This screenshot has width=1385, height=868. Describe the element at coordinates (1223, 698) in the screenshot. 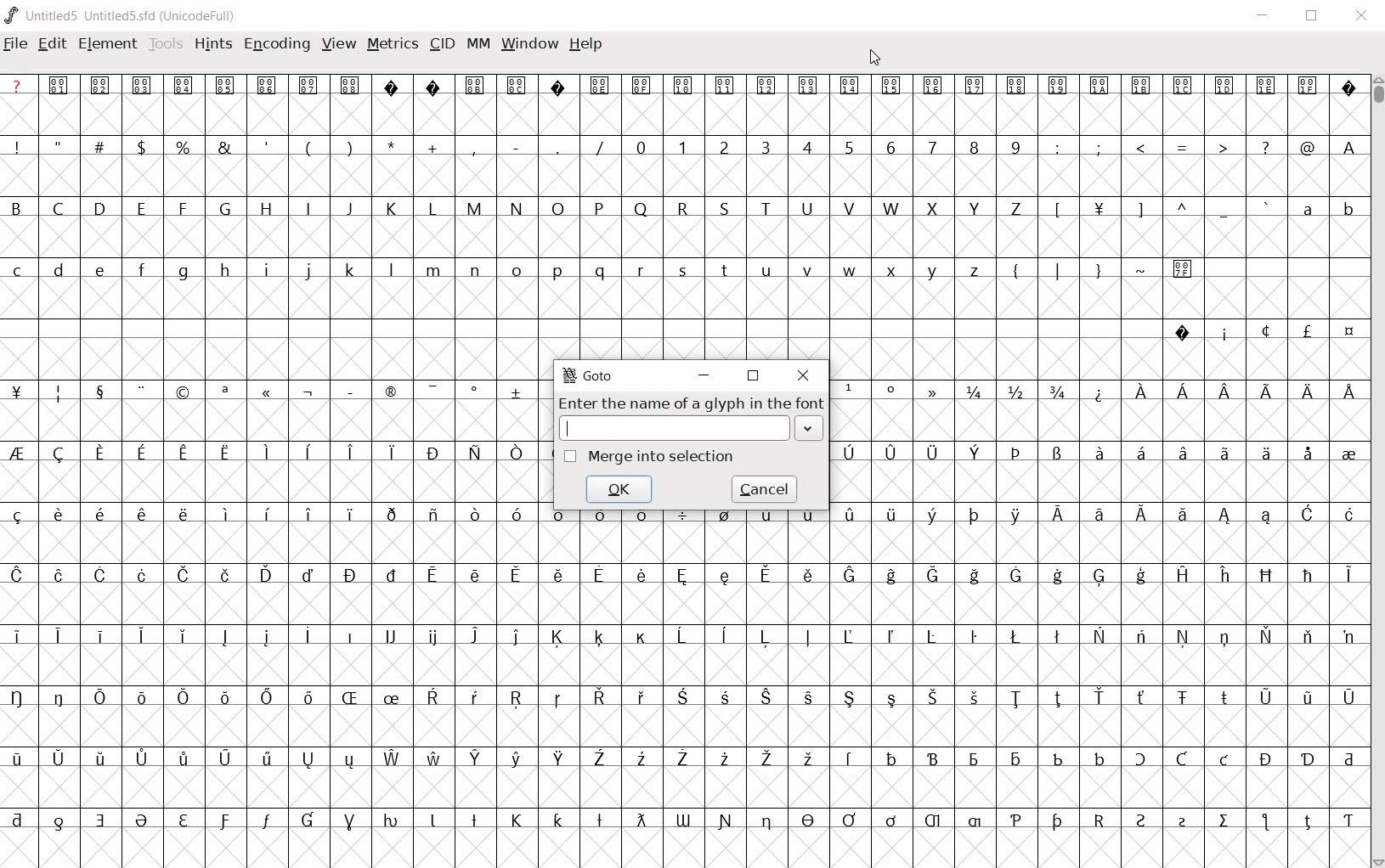

I see `Symbol` at that location.